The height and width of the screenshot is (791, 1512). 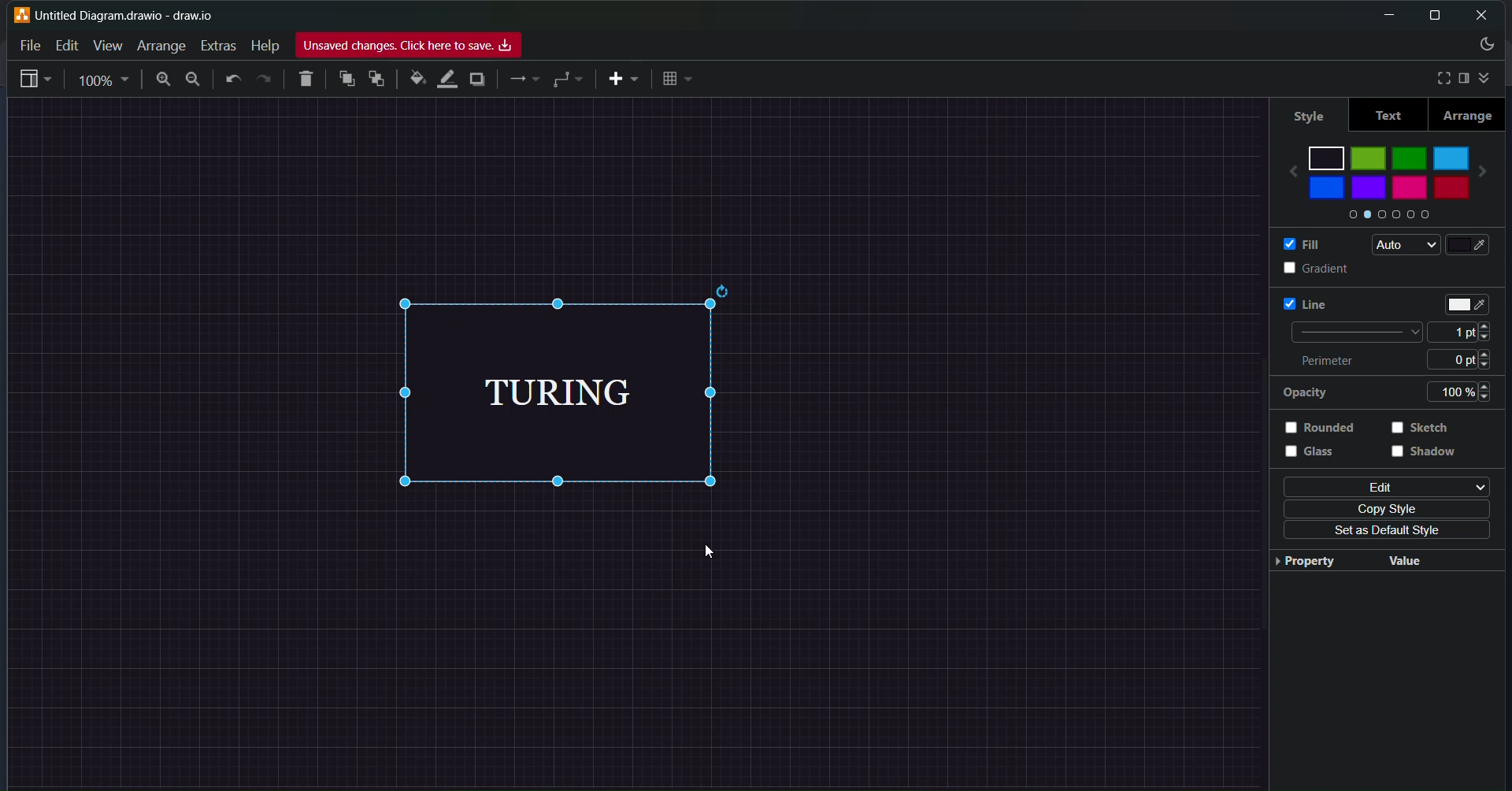 What do you see at coordinates (1326, 188) in the screenshot?
I see `blue` at bounding box center [1326, 188].